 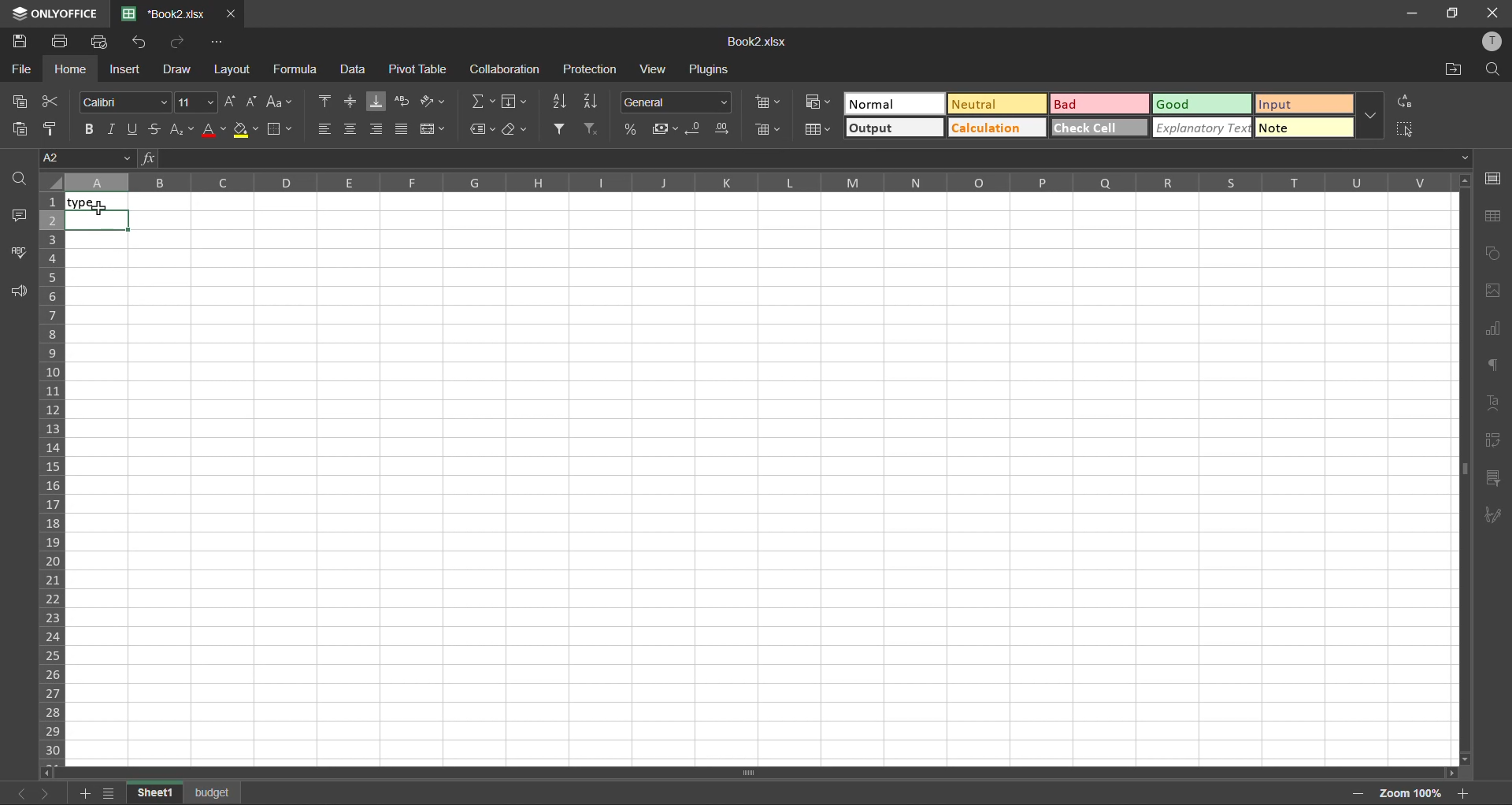 I want to click on print, so click(x=61, y=42).